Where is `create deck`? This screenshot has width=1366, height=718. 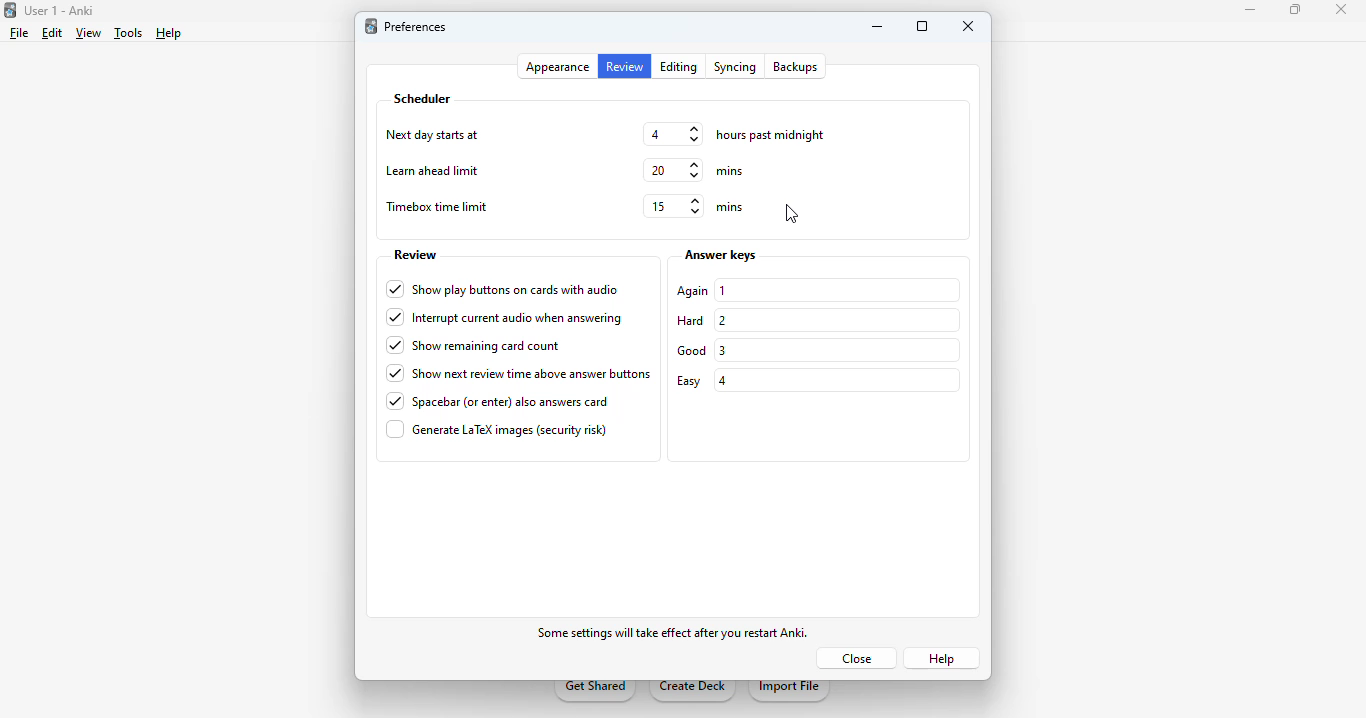 create deck is located at coordinates (693, 691).